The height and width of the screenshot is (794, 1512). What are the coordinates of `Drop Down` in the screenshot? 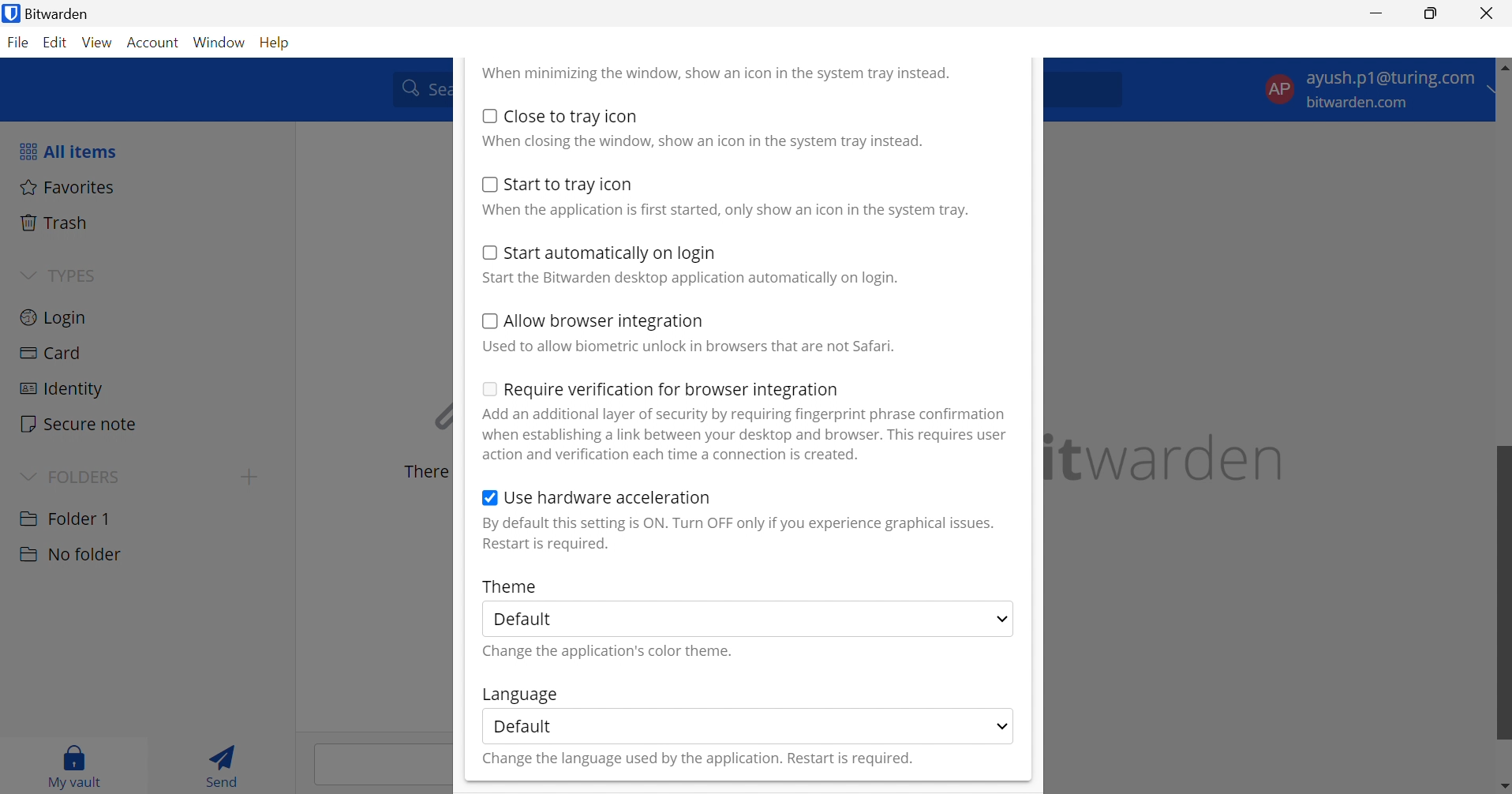 It's located at (1001, 620).